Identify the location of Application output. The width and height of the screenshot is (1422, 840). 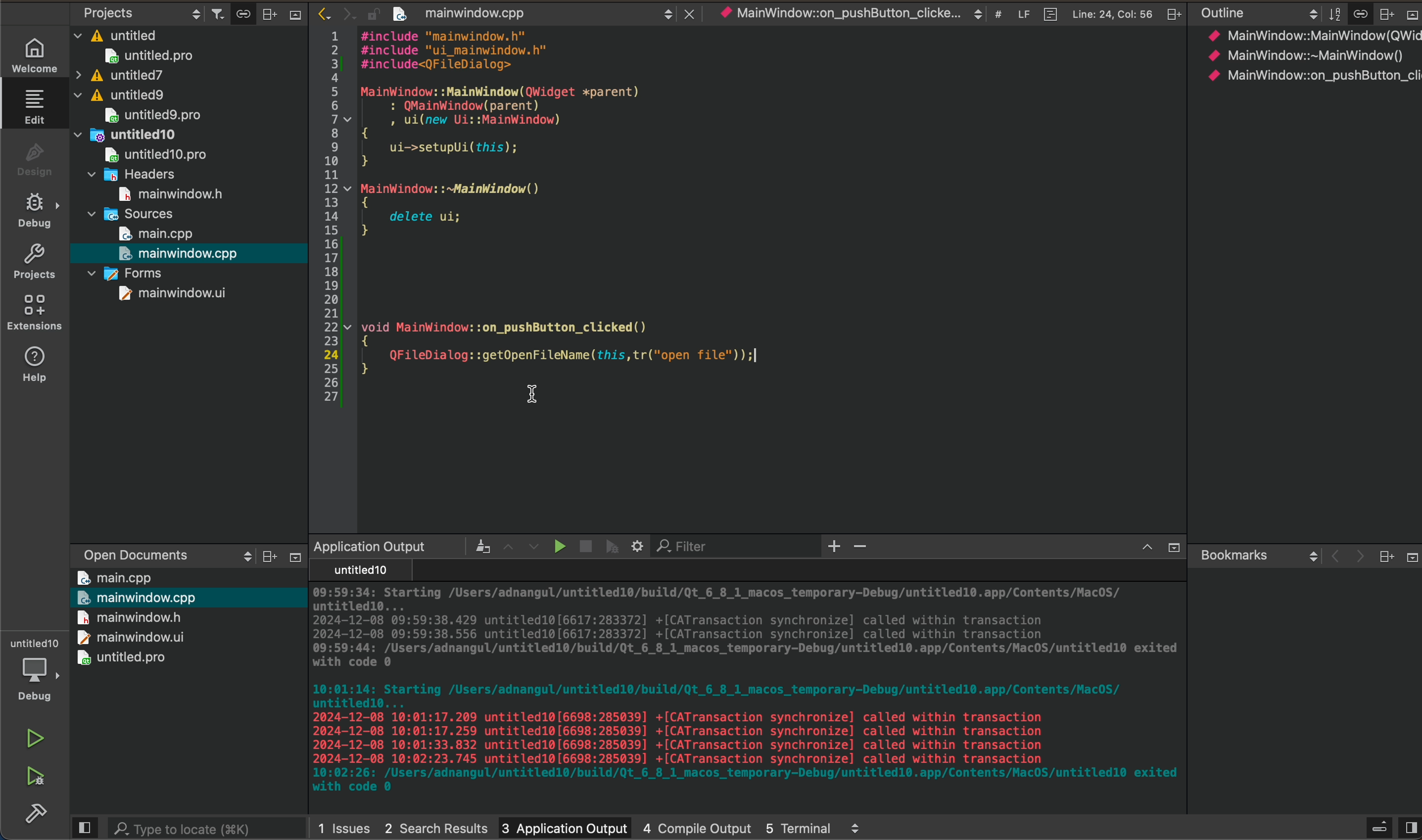
(369, 546).